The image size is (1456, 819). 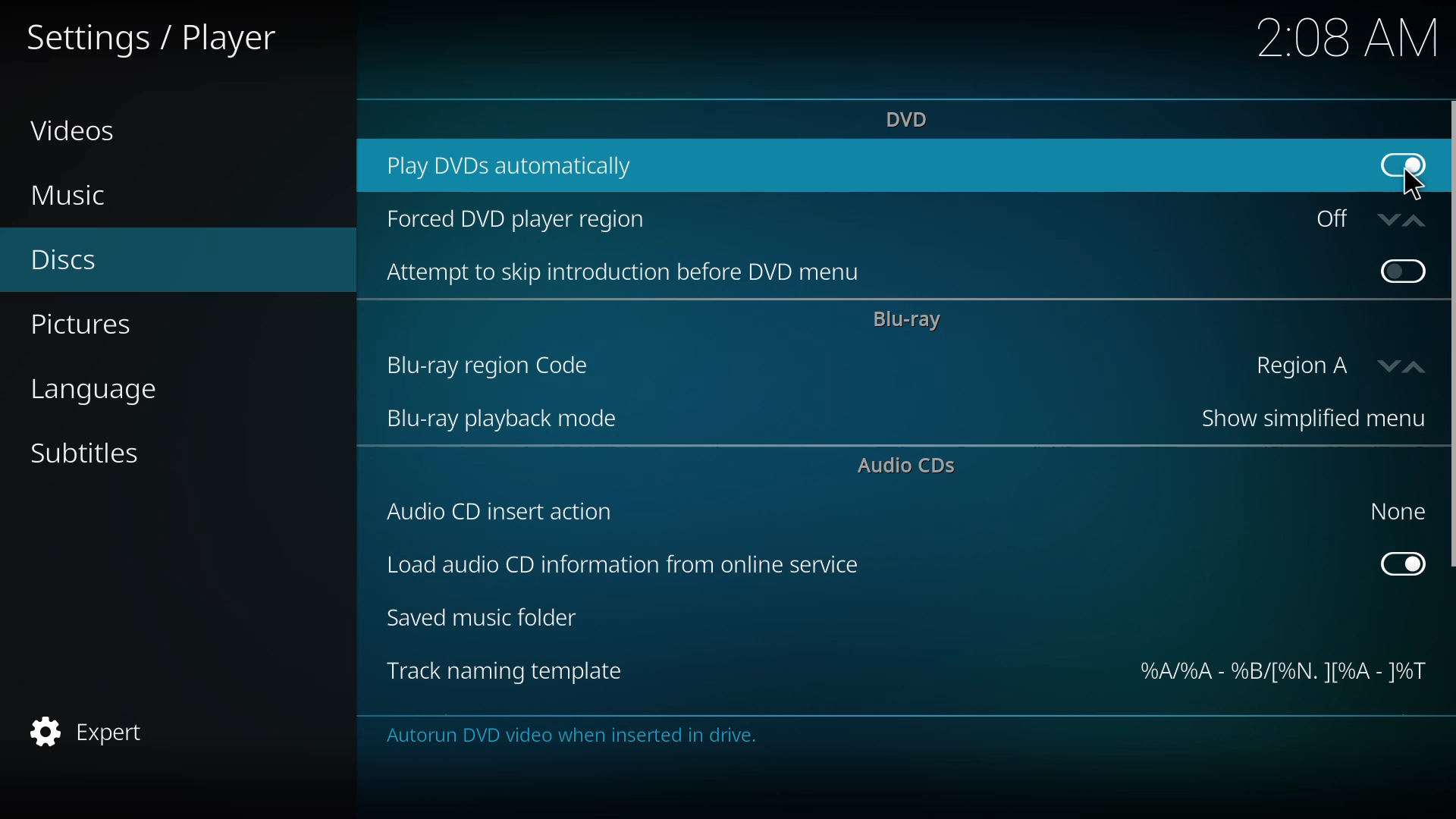 I want to click on show simplified menu, so click(x=1303, y=421).